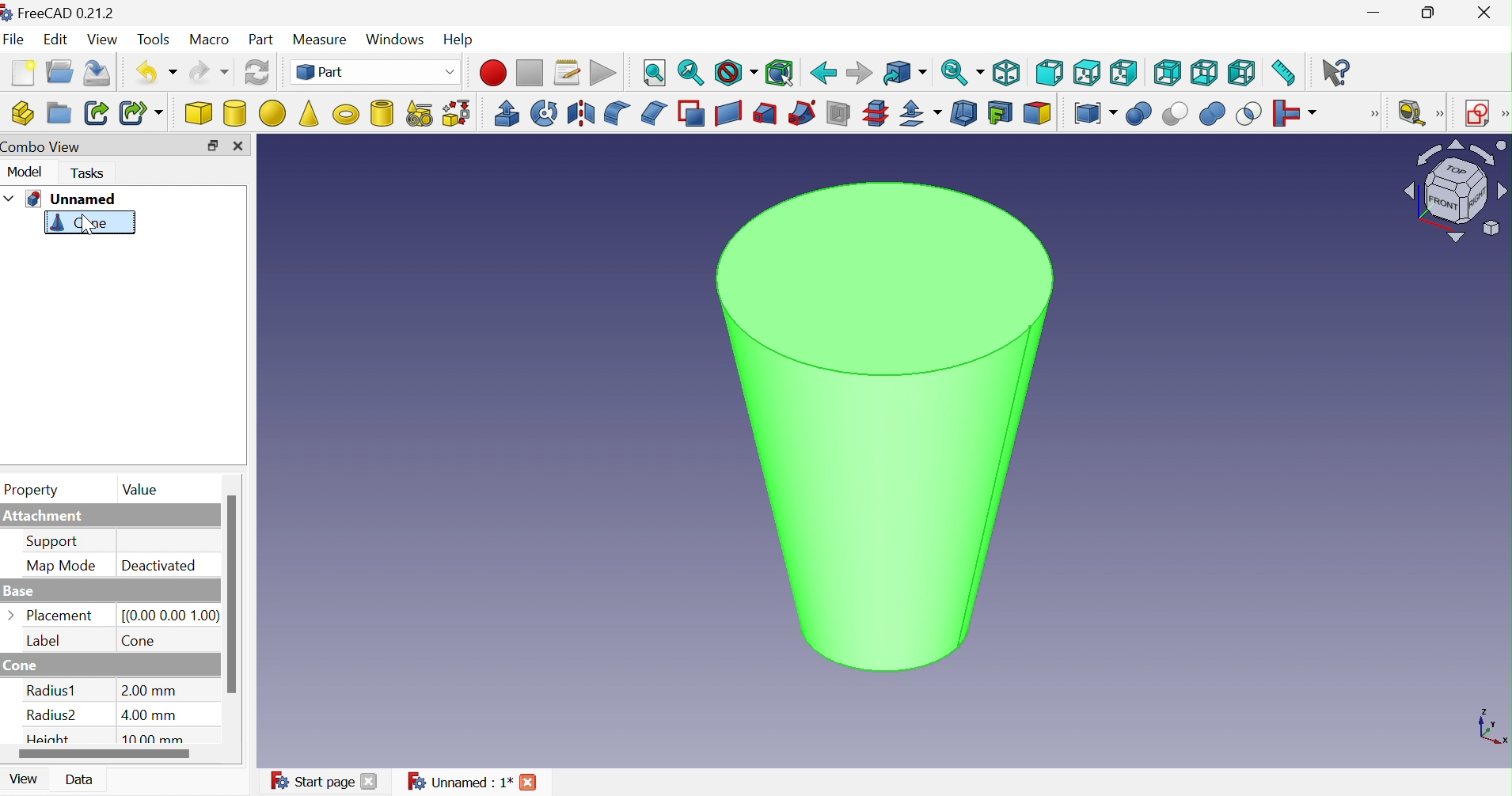 The width and height of the screenshot is (1512, 796). Describe the element at coordinates (104, 40) in the screenshot. I see `Vieq` at that location.